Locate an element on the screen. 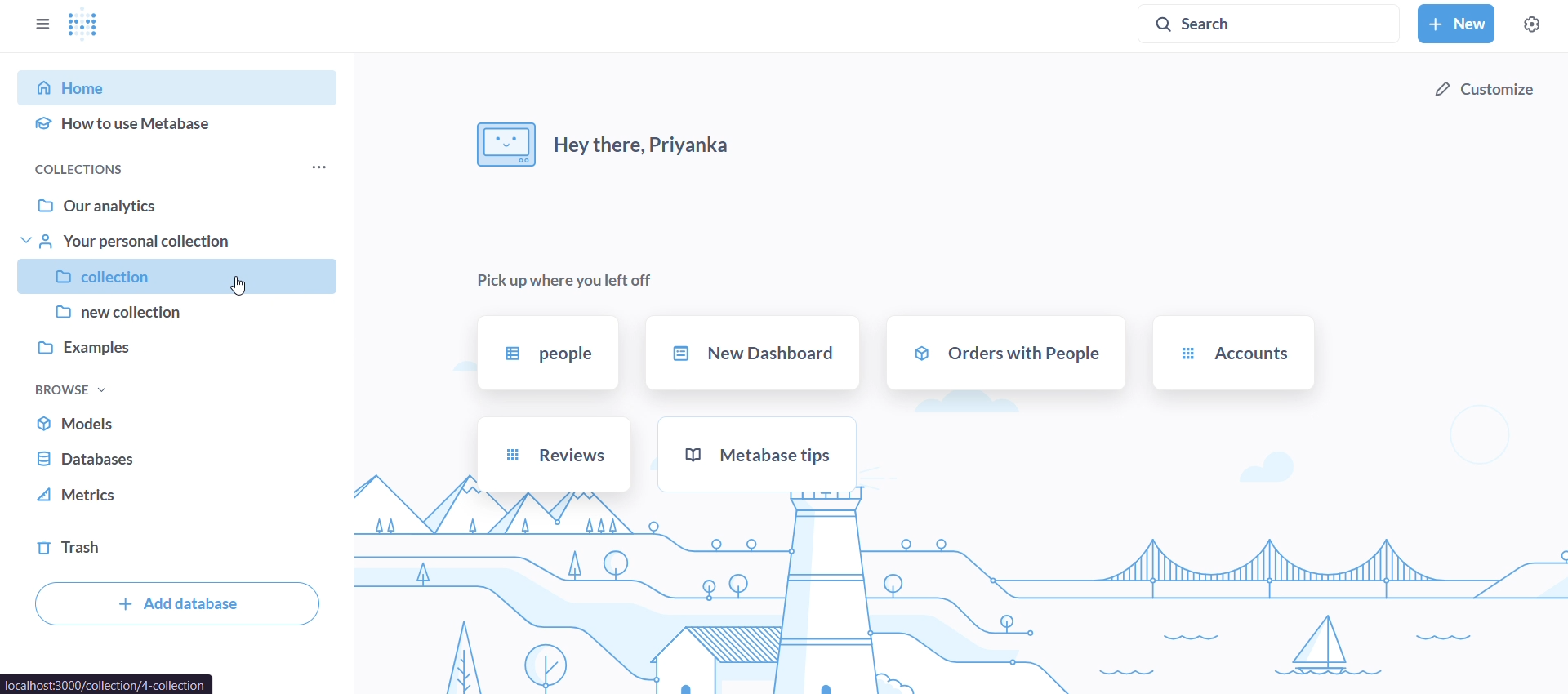  pick up where you left off is located at coordinates (568, 280).